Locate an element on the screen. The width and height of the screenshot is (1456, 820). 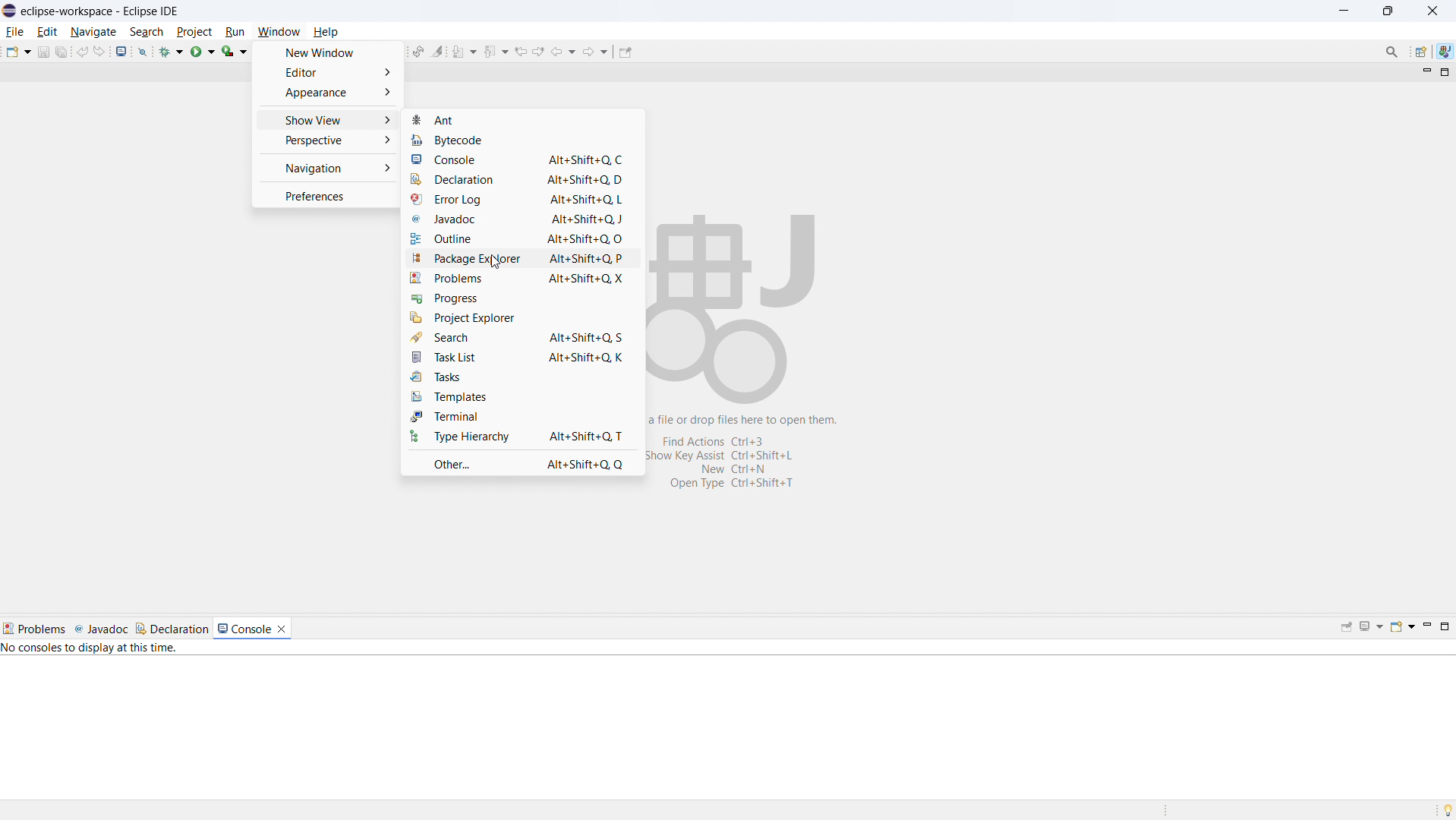
declaration is located at coordinates (519, 179).